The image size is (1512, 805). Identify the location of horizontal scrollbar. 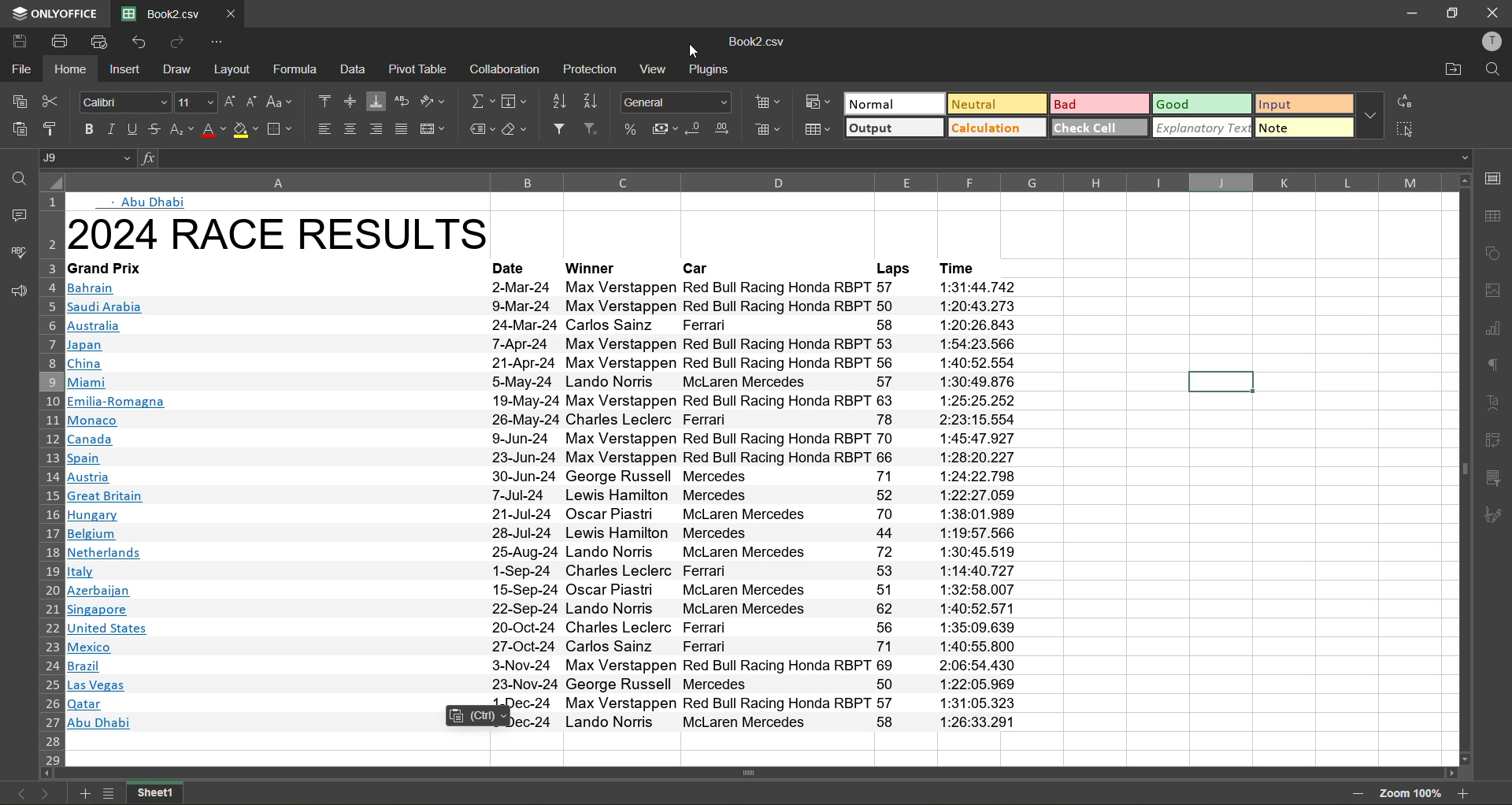
(747, 773).